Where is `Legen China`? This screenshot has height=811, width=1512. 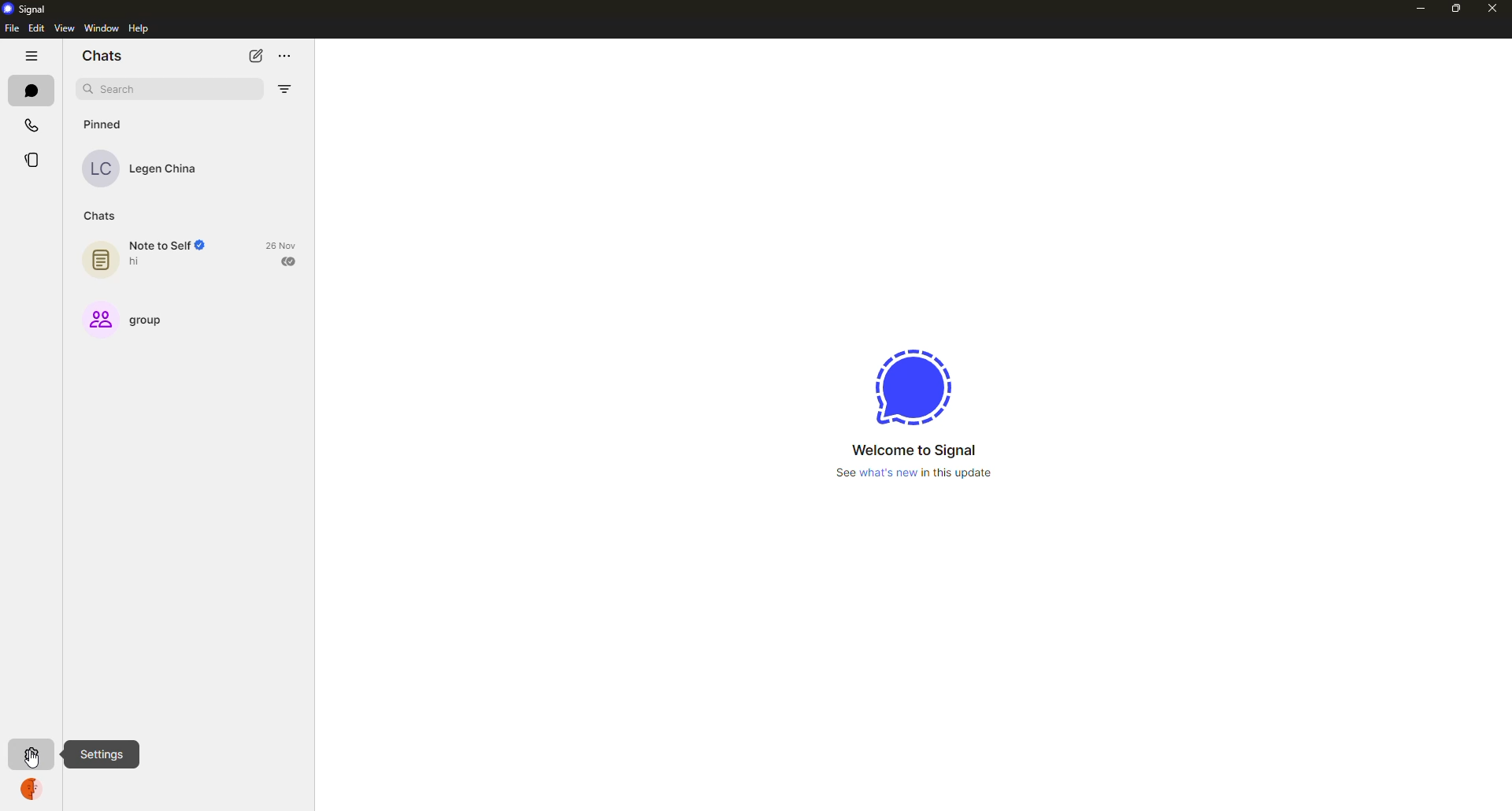 Legen China is located at coordinates (168, 170).